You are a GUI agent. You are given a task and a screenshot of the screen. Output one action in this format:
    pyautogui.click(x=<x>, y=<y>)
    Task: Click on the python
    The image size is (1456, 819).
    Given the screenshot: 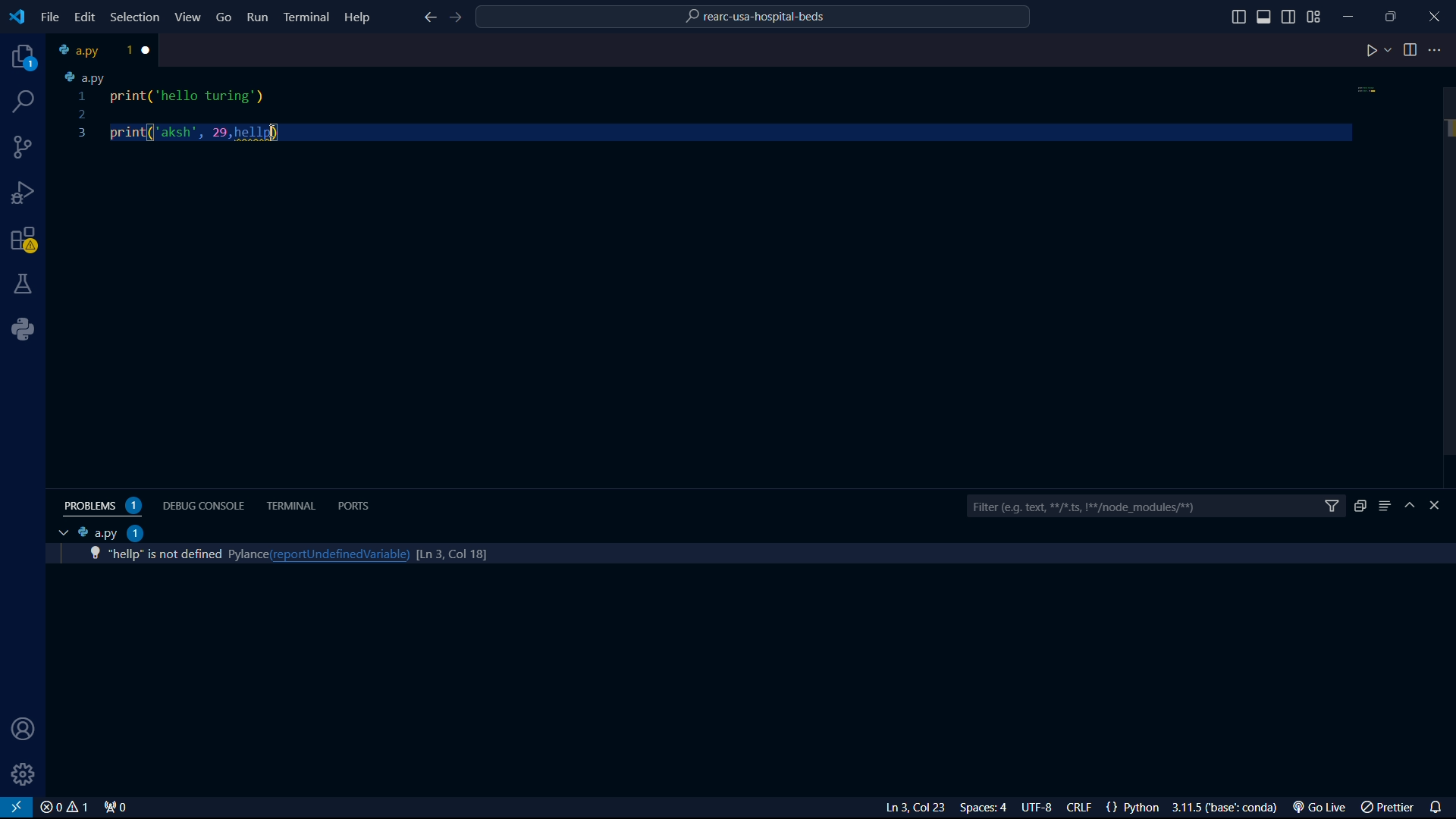 What is the action you would take?
    pyautogui.click(x=28, y=329)
    